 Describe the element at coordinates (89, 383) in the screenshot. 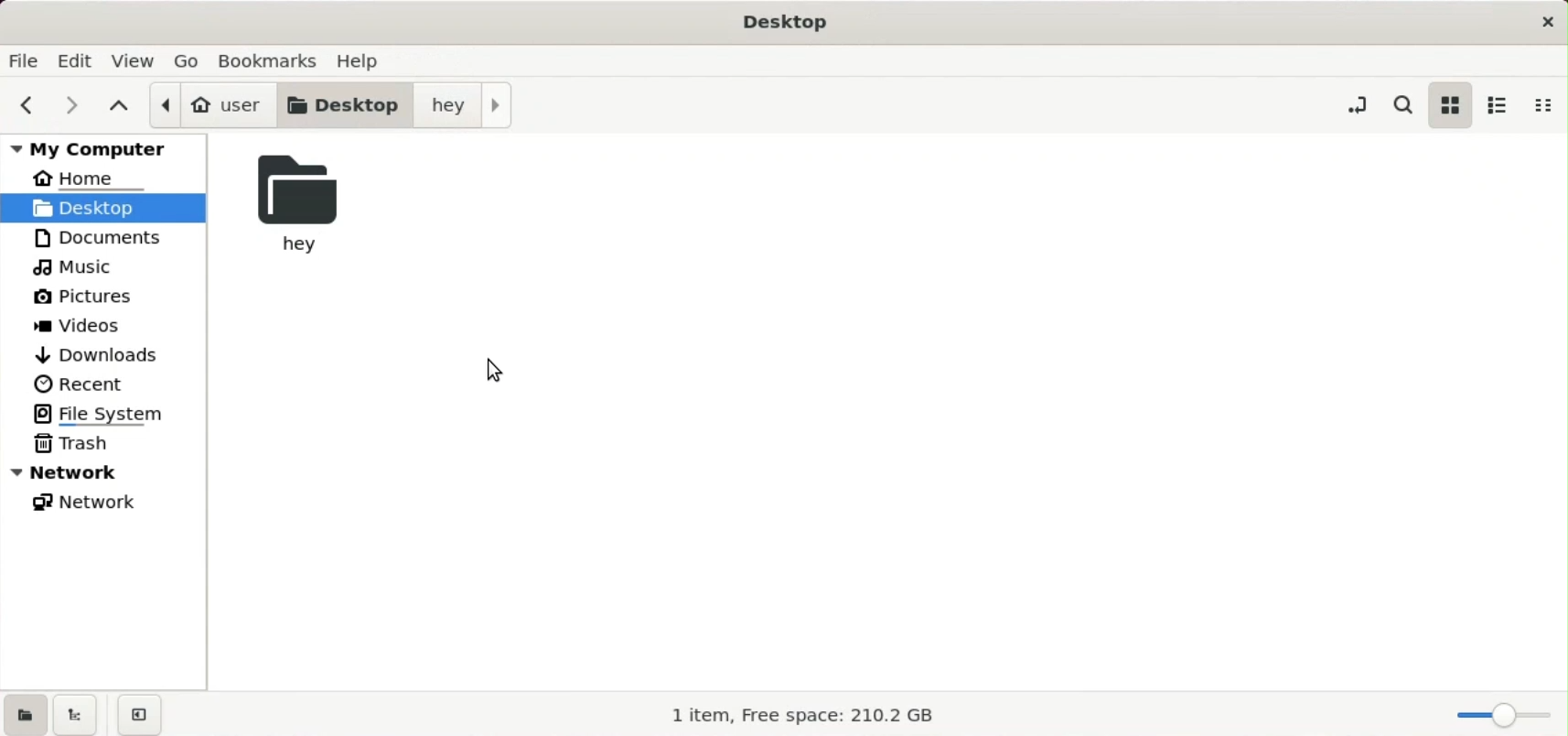

I see `recent` at that location.